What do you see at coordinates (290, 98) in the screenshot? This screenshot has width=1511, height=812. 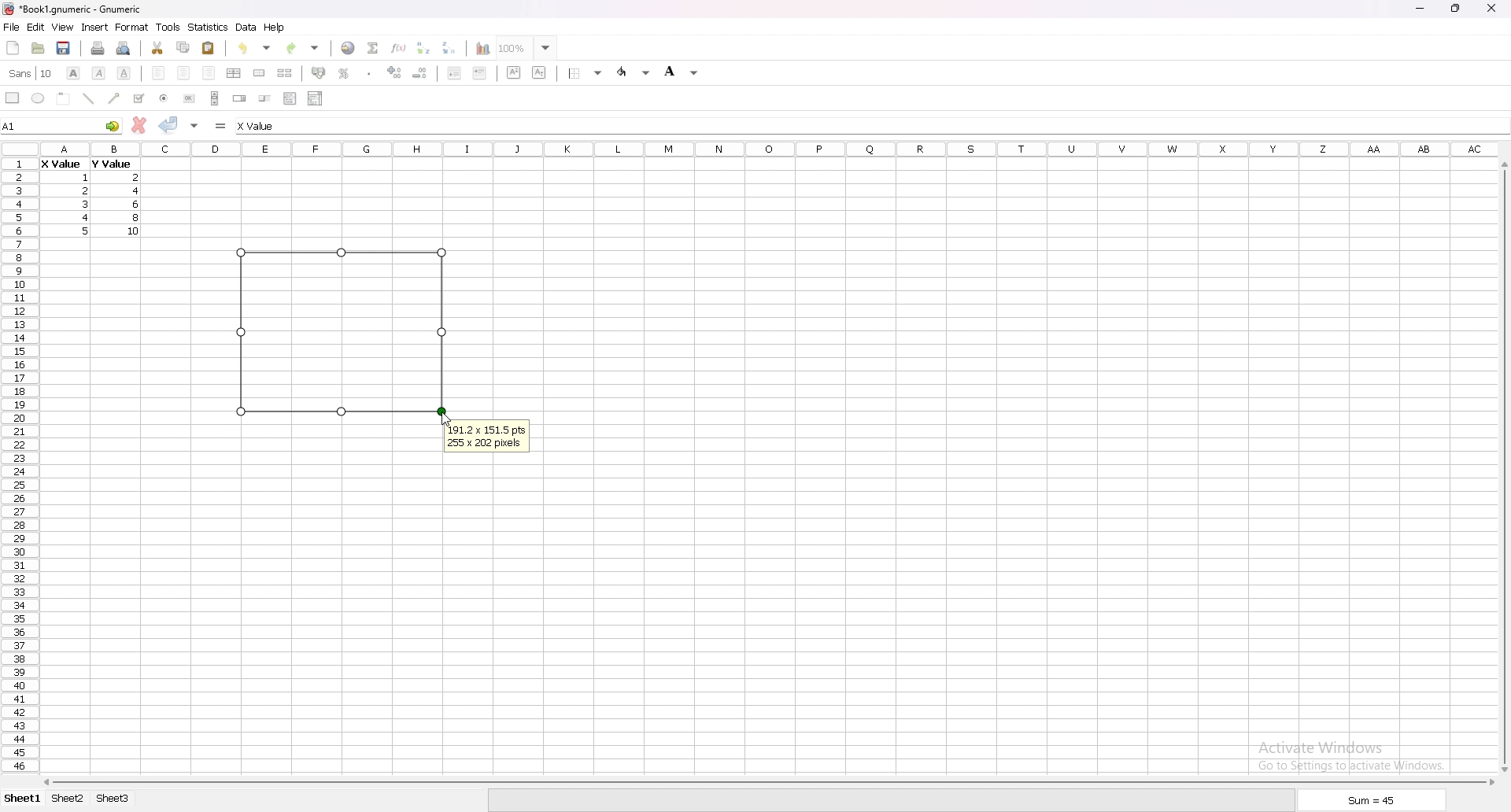 I see `list` at bounding box center [290, 98].